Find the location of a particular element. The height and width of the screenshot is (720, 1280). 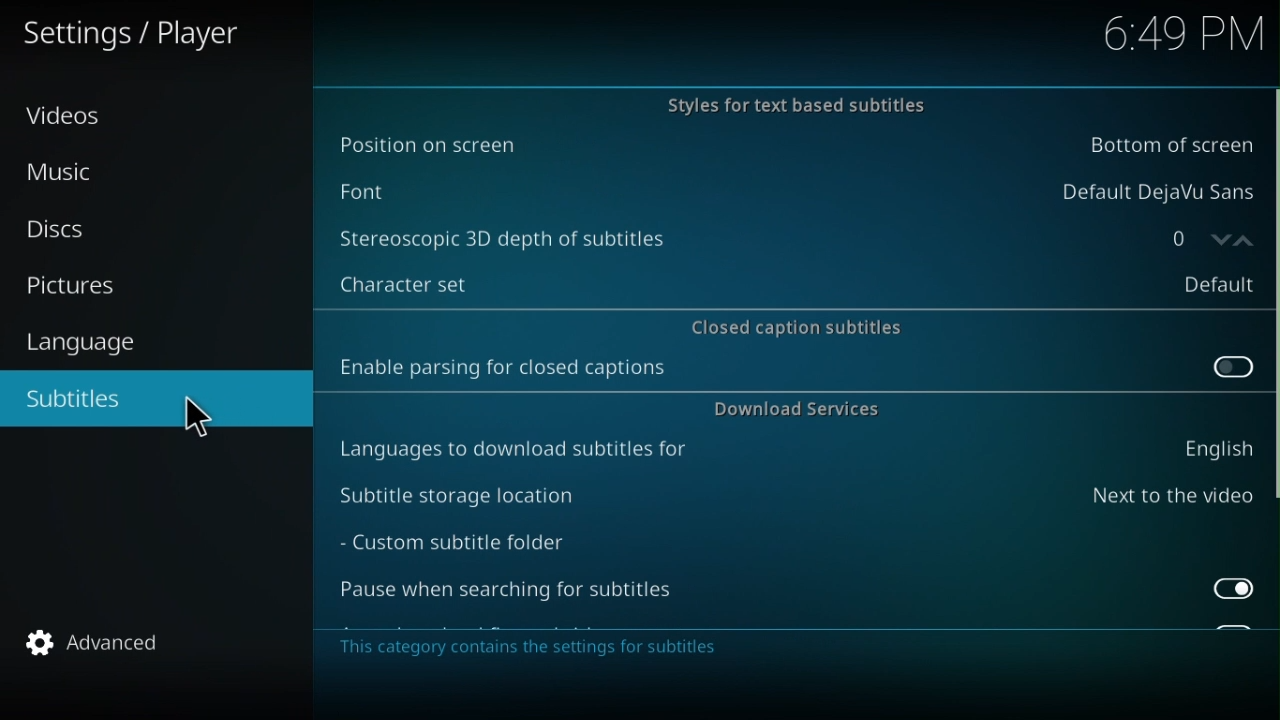

Custom subtitle folder is located at coordinates (479, 545).